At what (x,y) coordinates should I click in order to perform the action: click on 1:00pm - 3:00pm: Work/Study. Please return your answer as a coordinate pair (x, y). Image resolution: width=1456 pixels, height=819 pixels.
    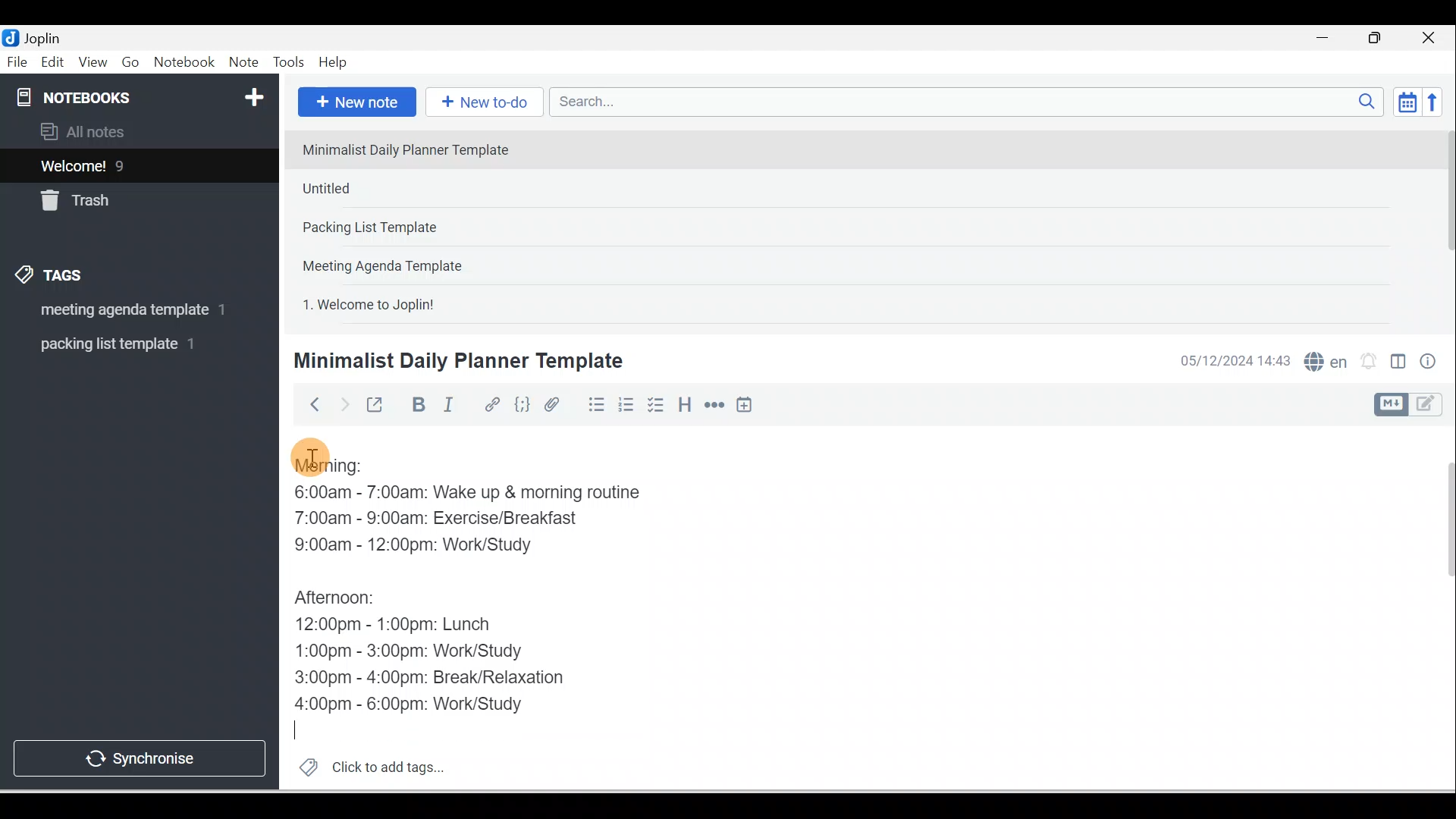
    Looking at the image, I should click on (411, 651).